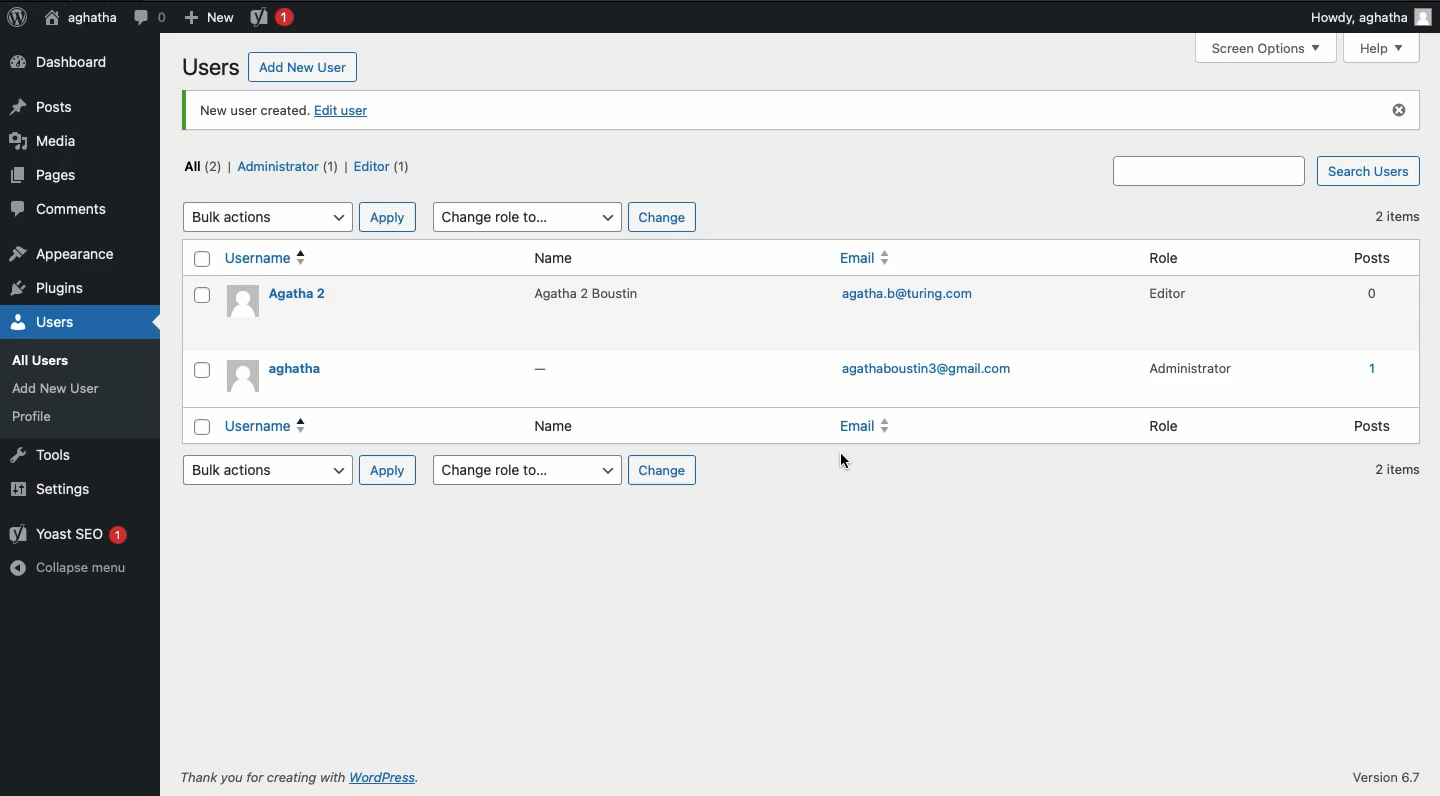 The width and height of the screenshot is (1440, 796). Describe the element at coordinates (205, 371) in the screenshot. I see `checkbox` at that location.